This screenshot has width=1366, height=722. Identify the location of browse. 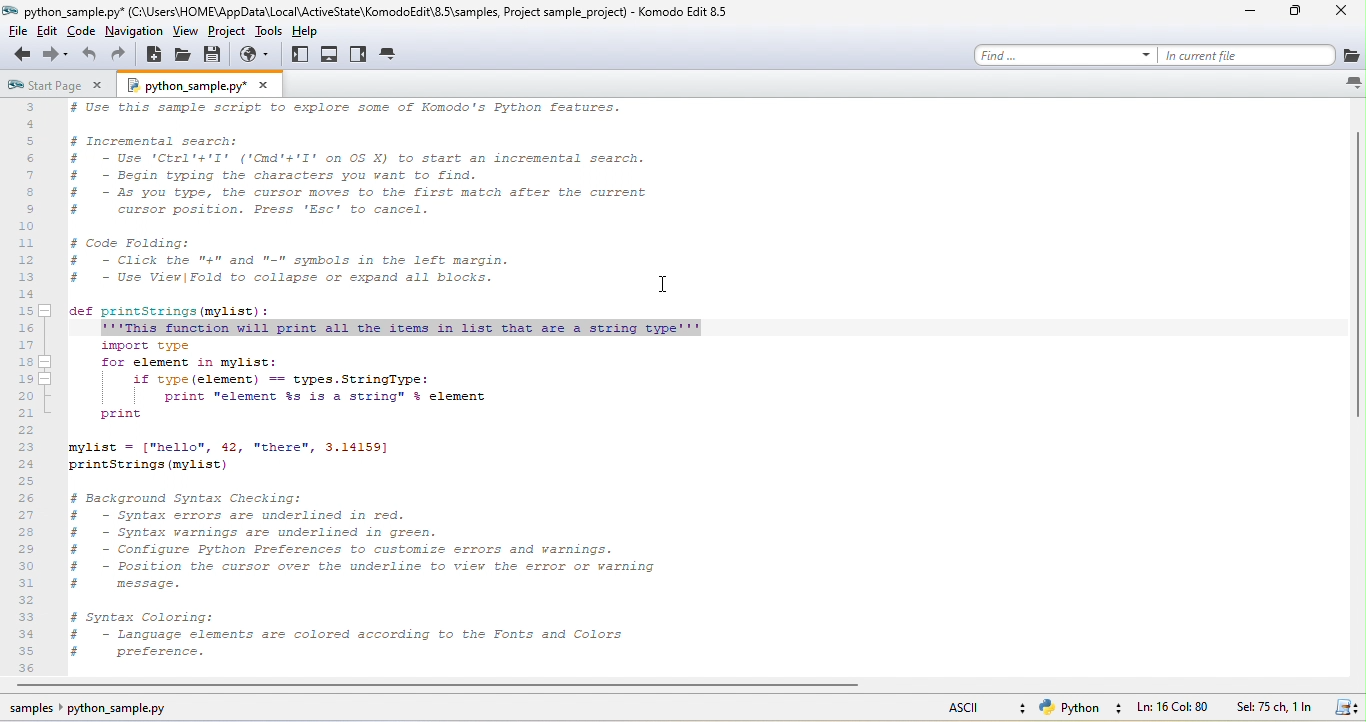
(258, 55).